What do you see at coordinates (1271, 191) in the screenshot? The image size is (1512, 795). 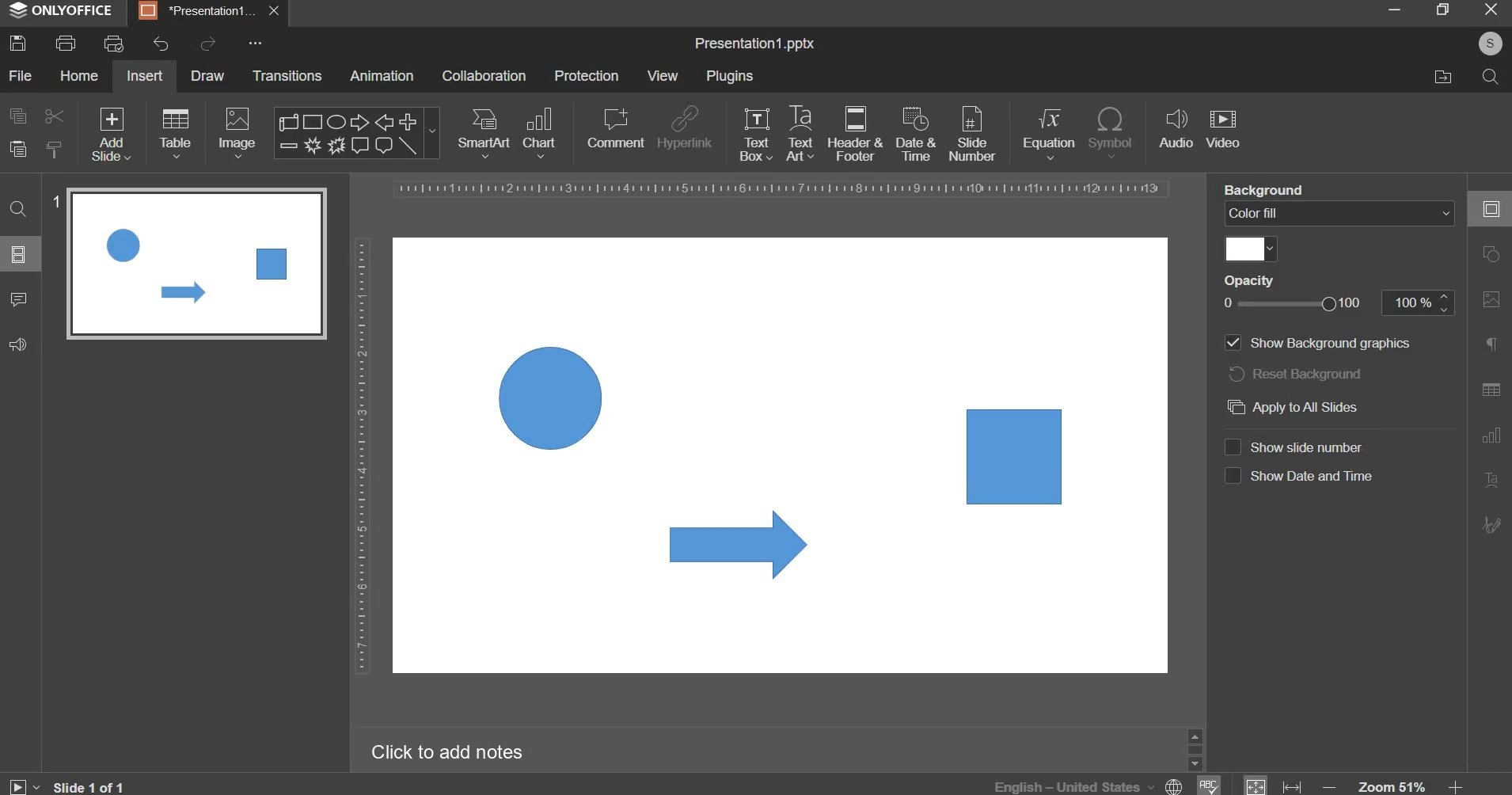 I see `Background` at bounding box center [1271, 191].